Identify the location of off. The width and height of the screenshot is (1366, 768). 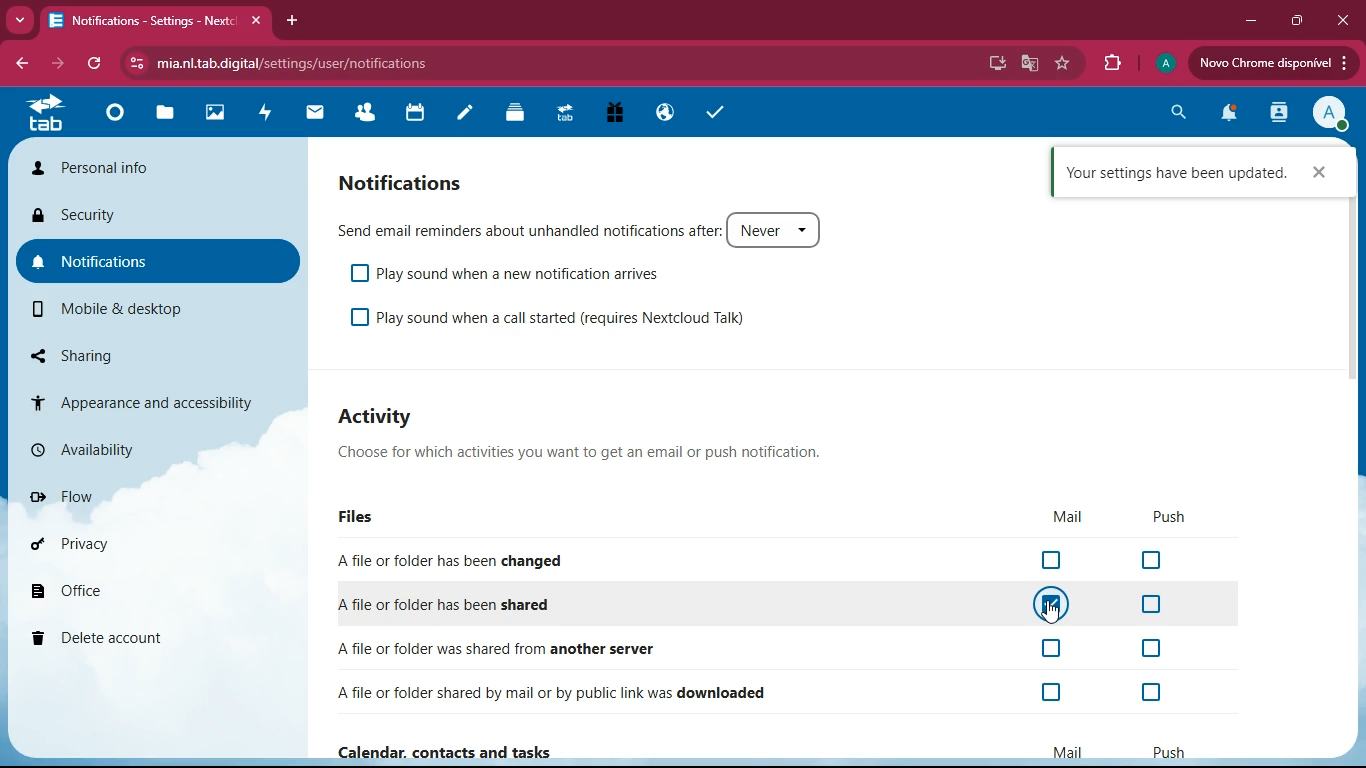
(1059, 648).